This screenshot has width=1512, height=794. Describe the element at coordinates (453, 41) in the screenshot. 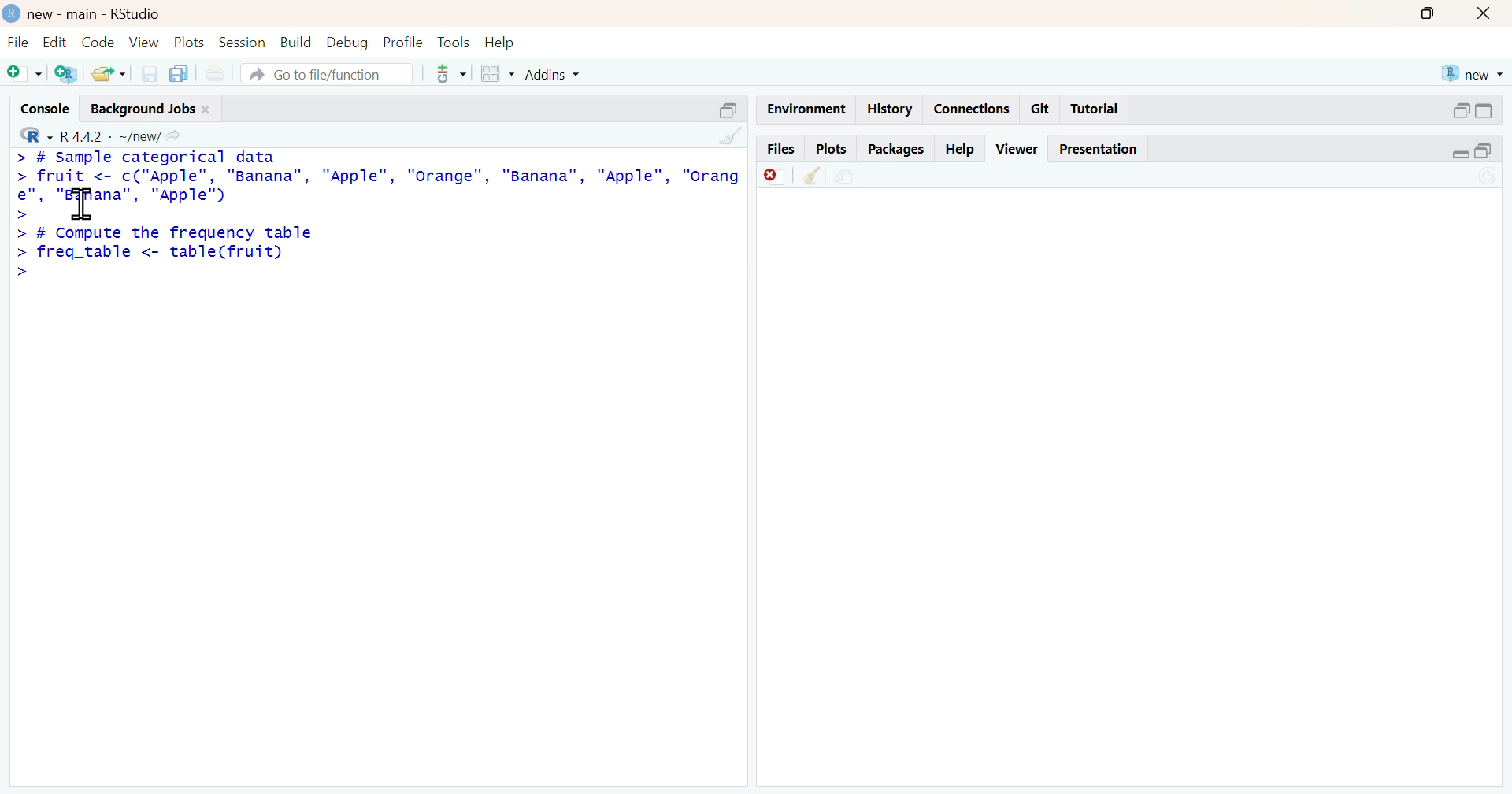

I see `tools` at that location.